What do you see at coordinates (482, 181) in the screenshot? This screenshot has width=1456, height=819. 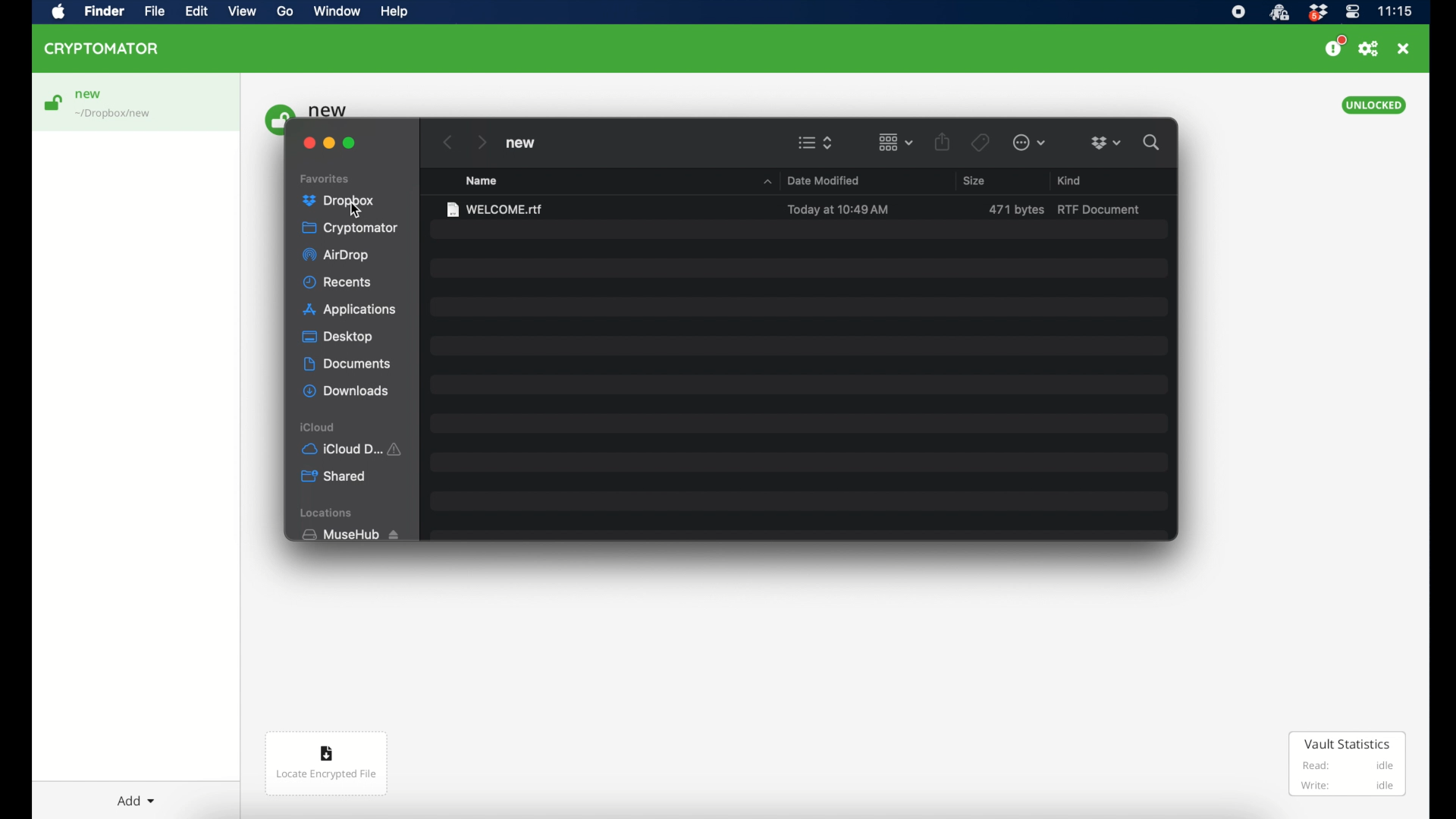 I see `name` at bounding box center [482, 181].